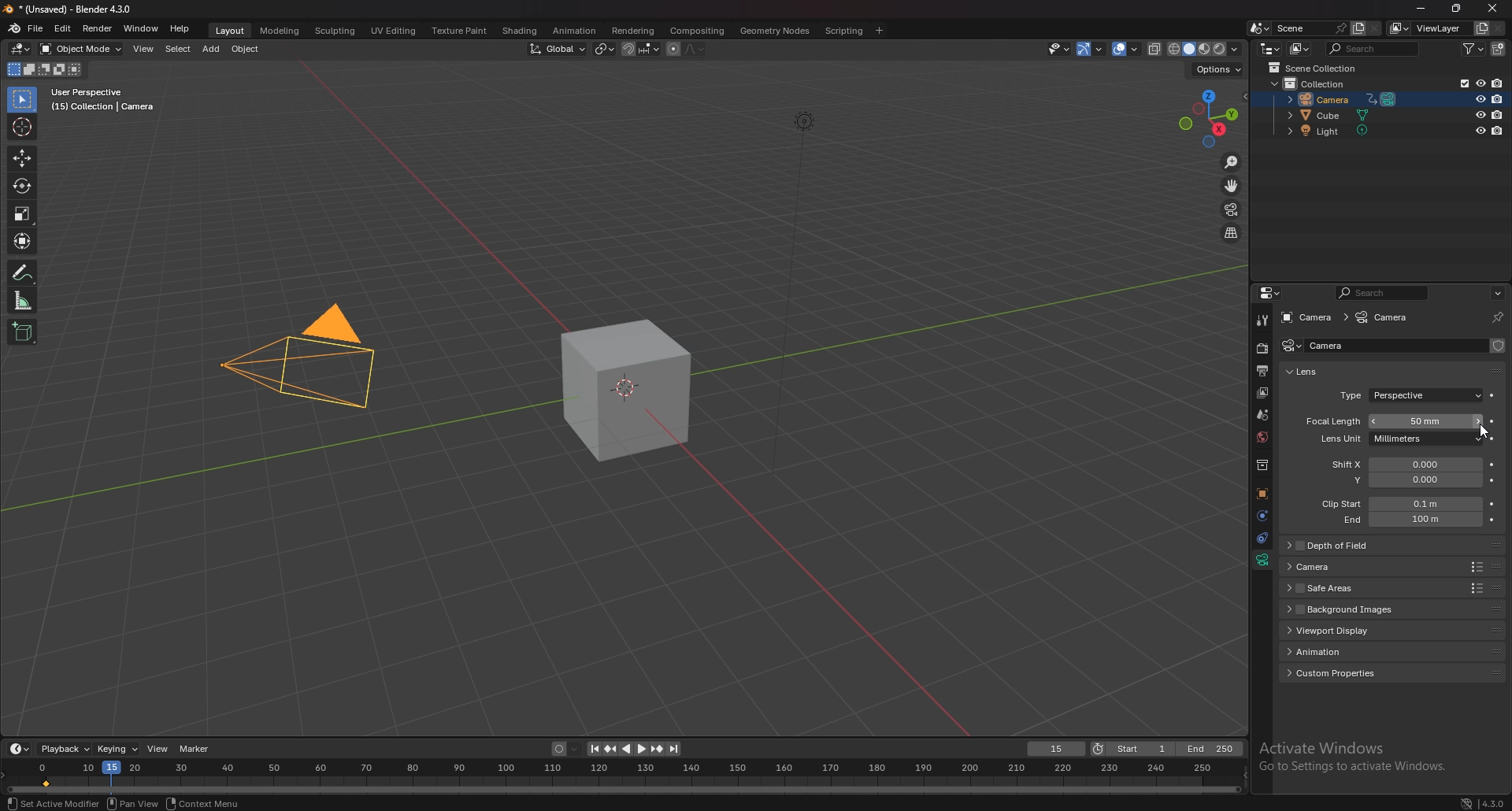  Describe the element at coordinates (1307, 317) in the screenshot. I see `camera` at that location.